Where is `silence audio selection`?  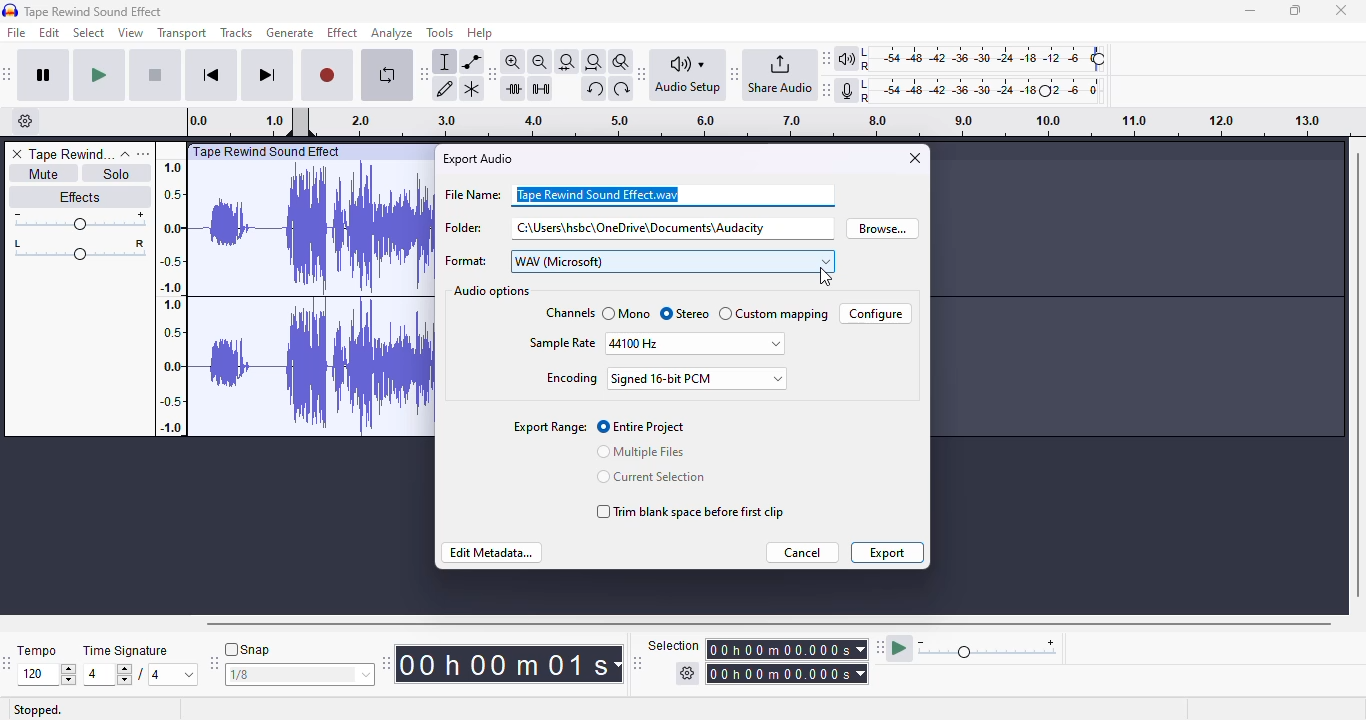
silence audio selection is located at coordinates (541, 91).